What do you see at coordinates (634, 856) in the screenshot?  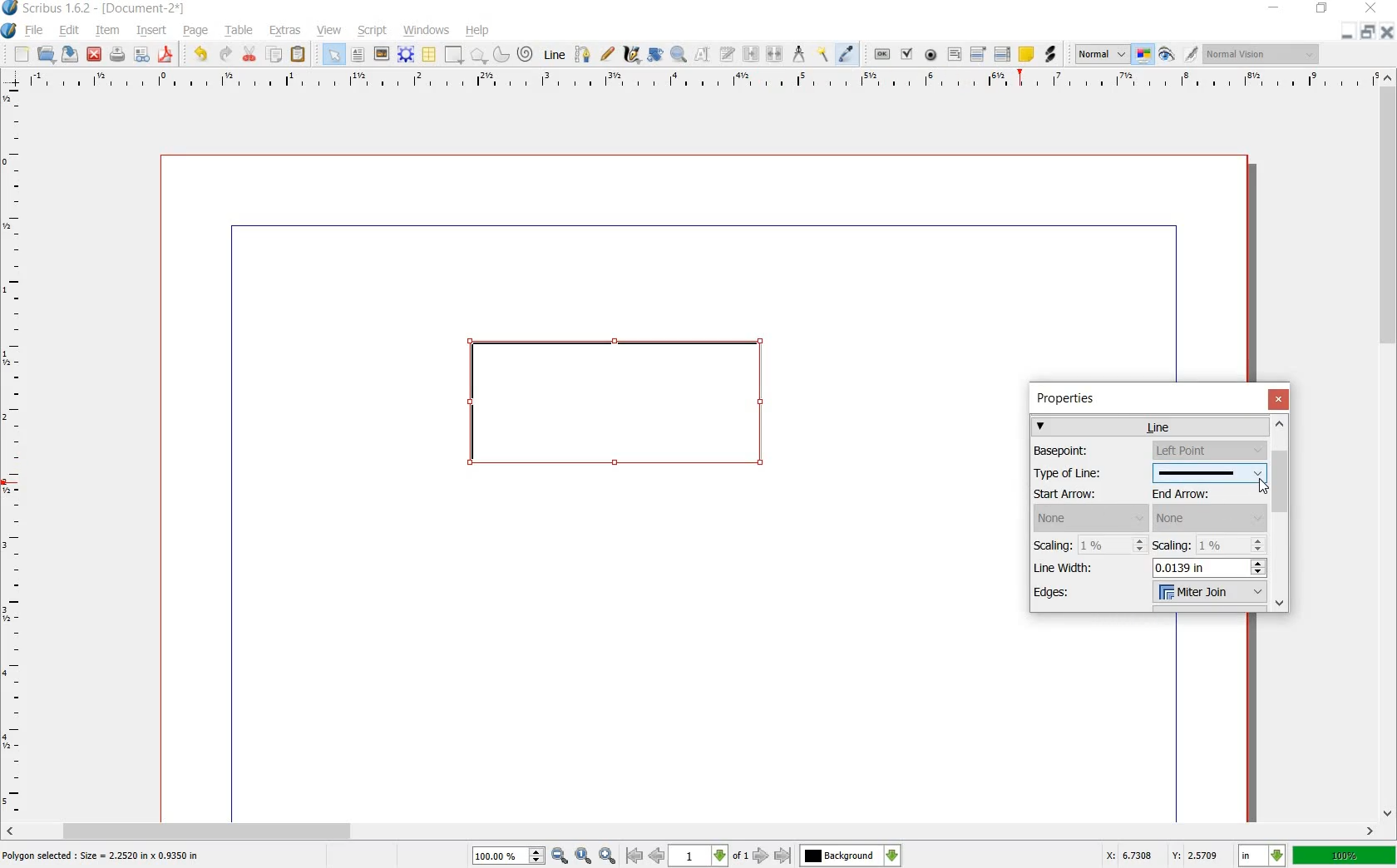 I see `go to first page` at bounding box center [634, 856].